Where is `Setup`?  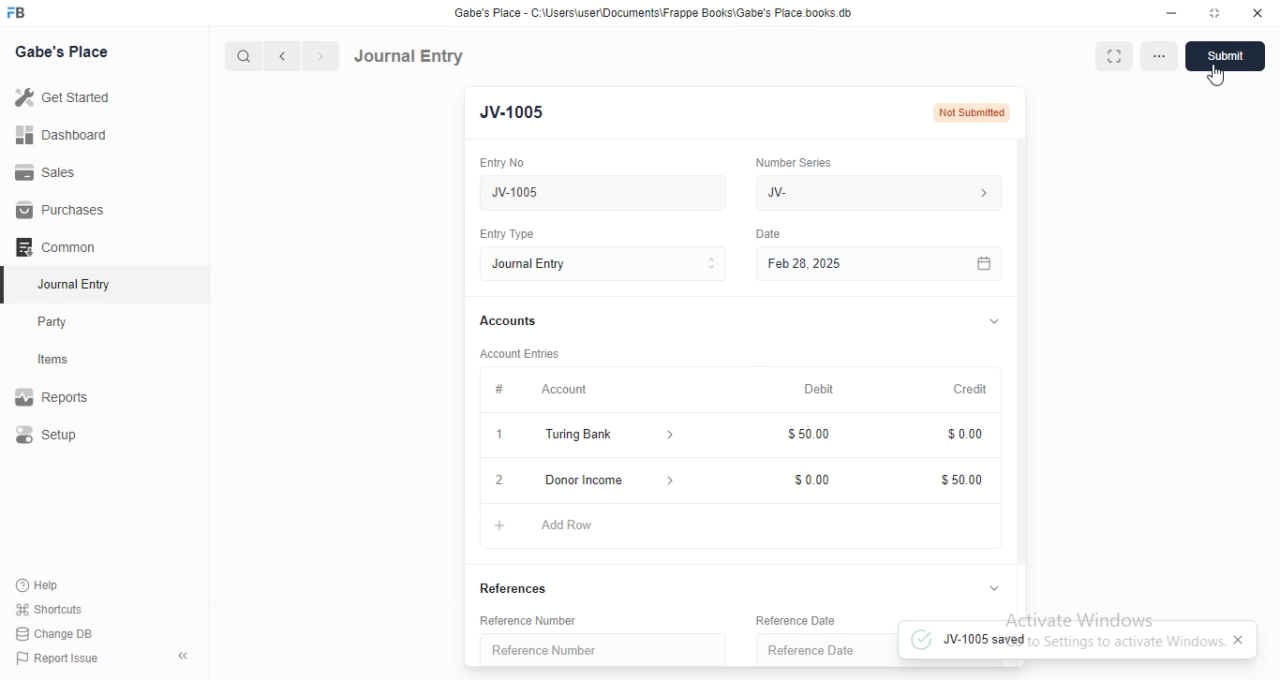
Setup is located at coordinates (66, 436).